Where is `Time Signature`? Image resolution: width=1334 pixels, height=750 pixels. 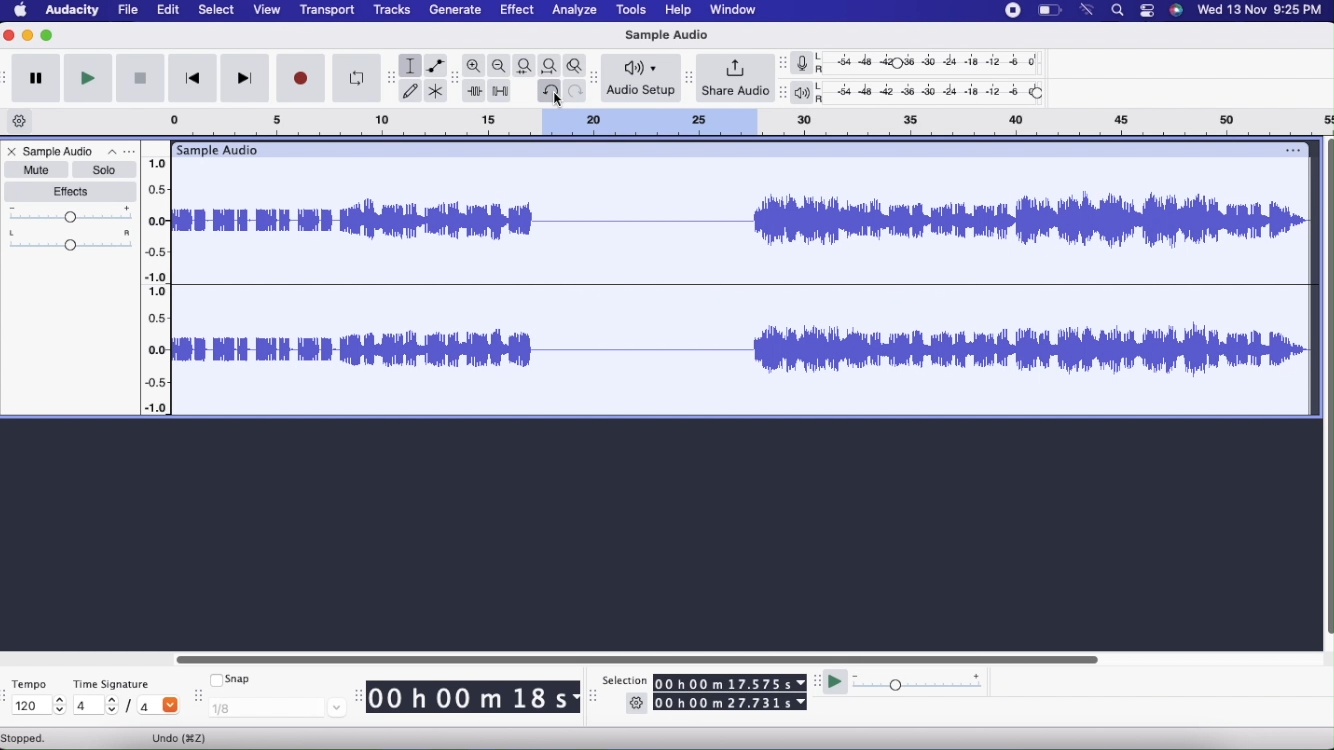
Time Signature is located at coordinates (111, 685).